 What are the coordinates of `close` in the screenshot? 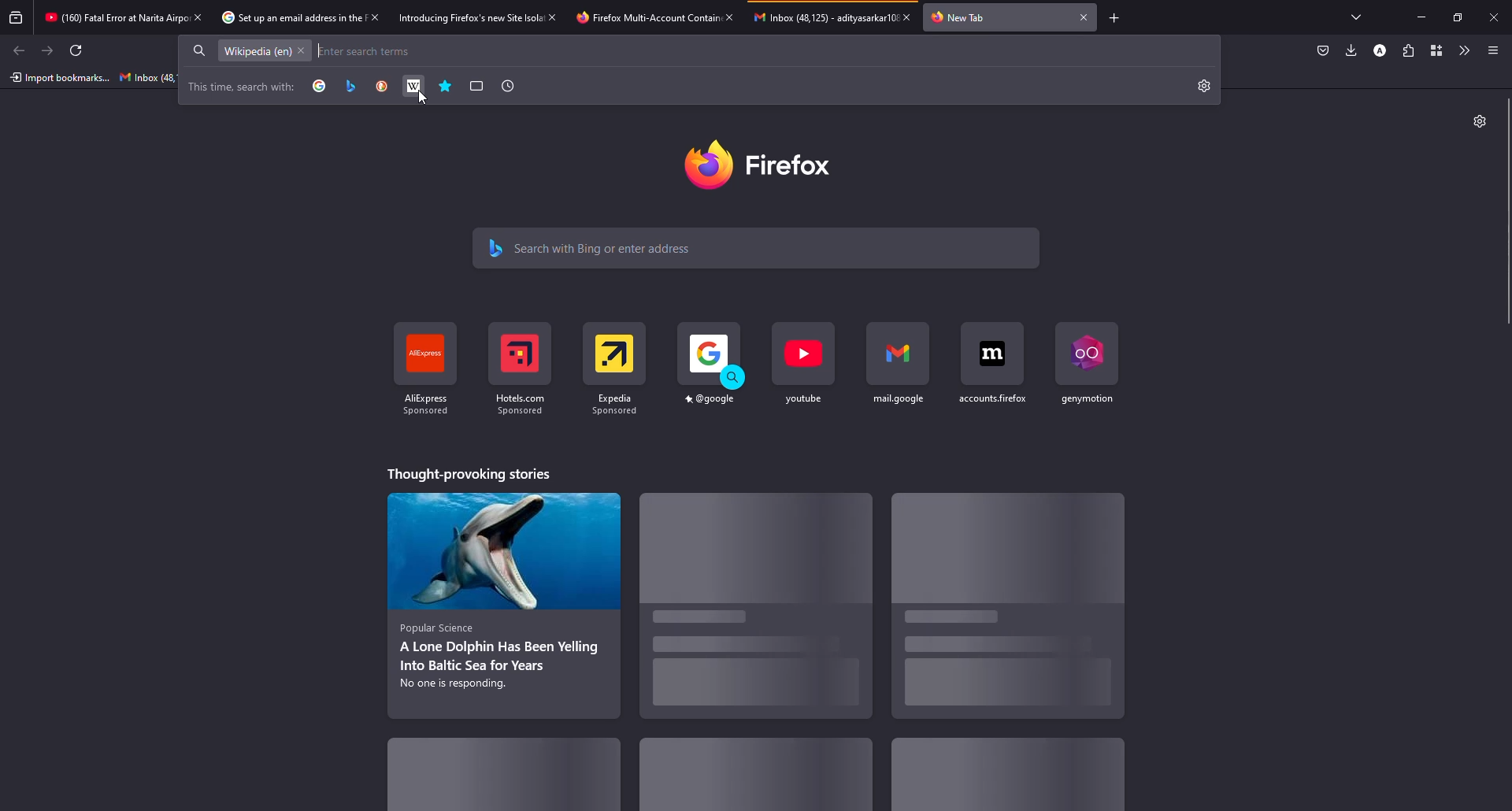 It's located at (376, 17).